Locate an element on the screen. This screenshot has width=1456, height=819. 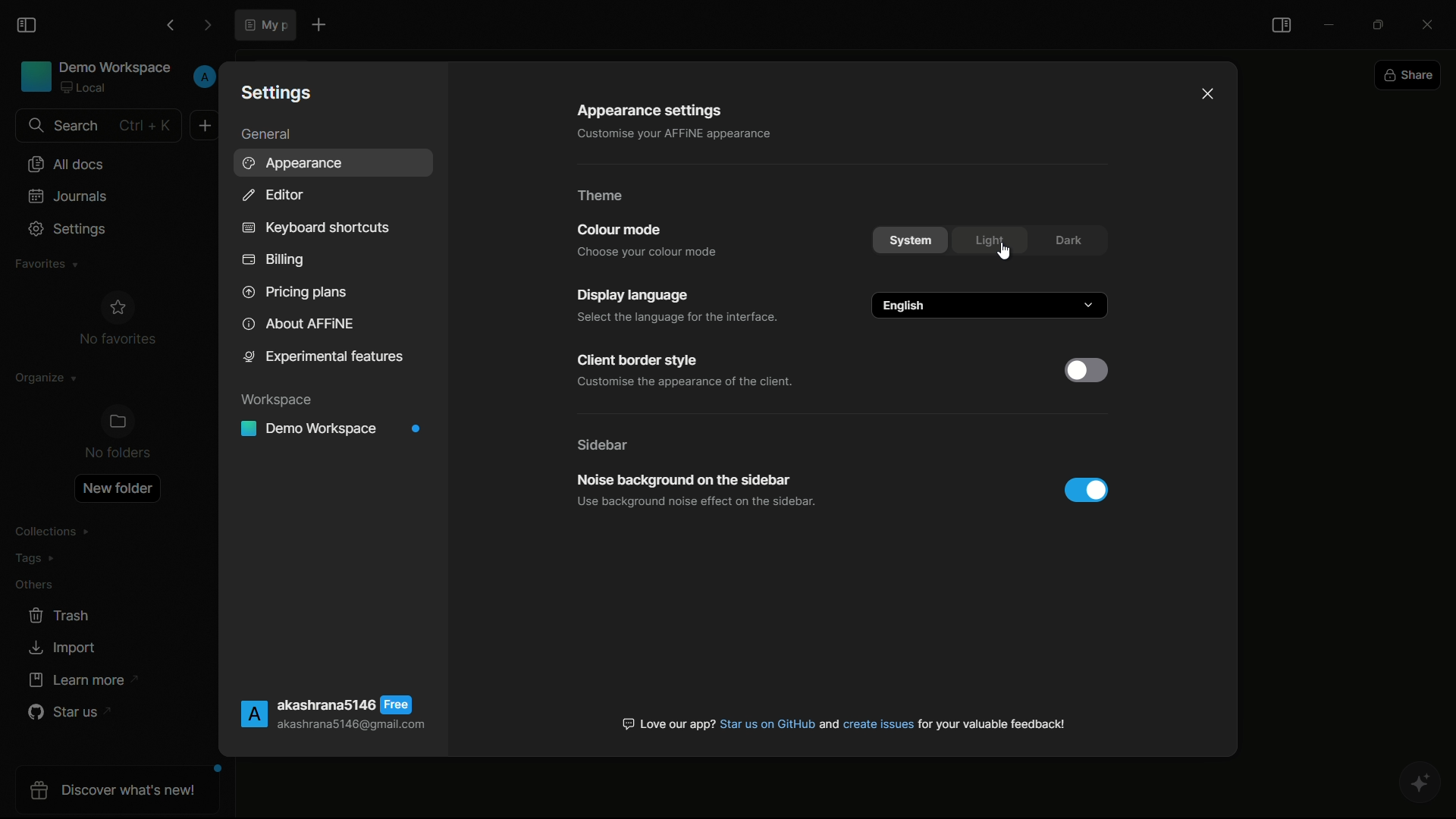
learn more is located at coordinates (79, 680).